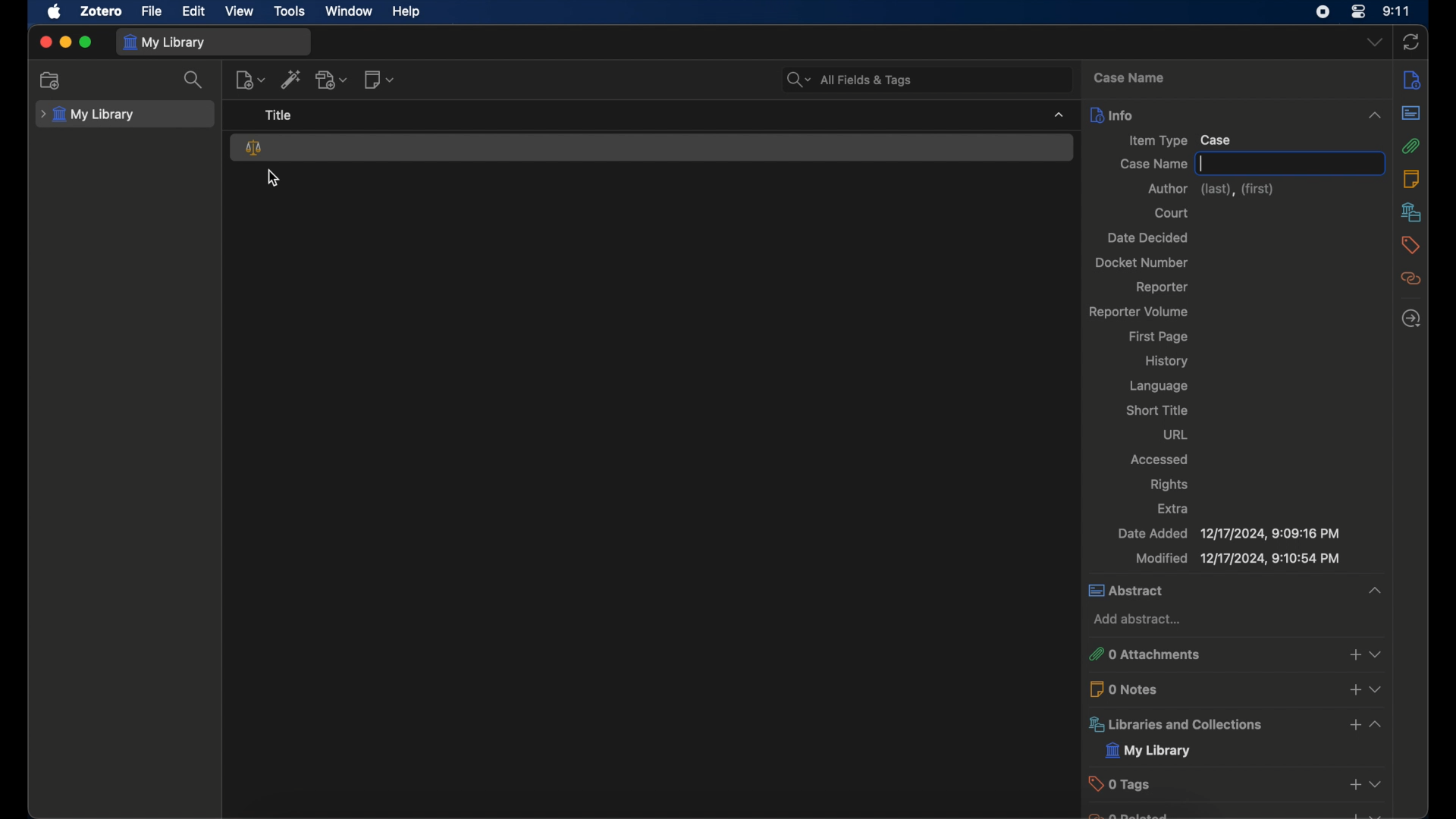 This screenshot has height=819, width=1456. What do you see at coordinates (86, 42) in the screenshot?
I see `maximize` at bounding box center [86, 42].